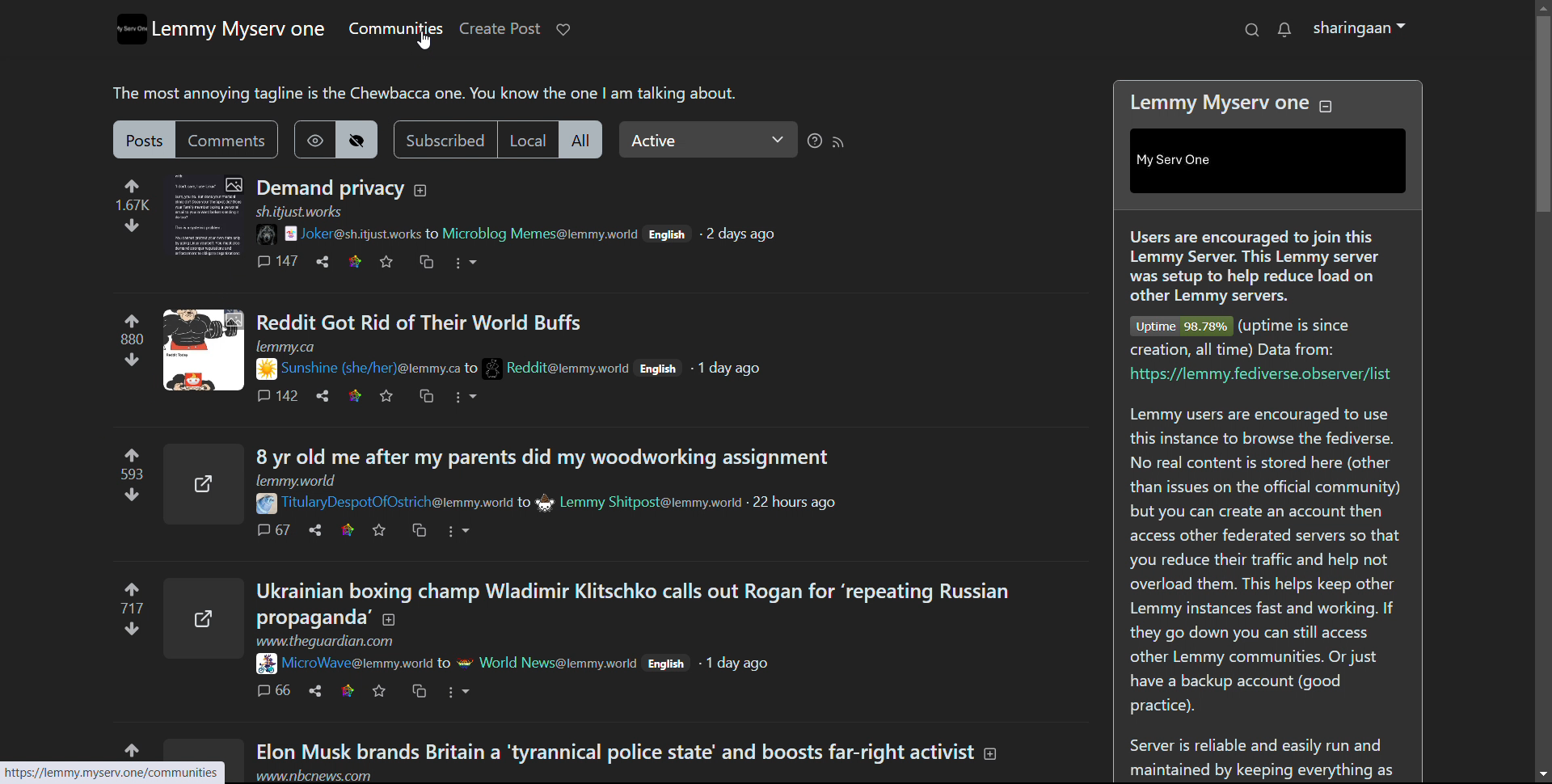  I want to click on username, so click(542, 234).